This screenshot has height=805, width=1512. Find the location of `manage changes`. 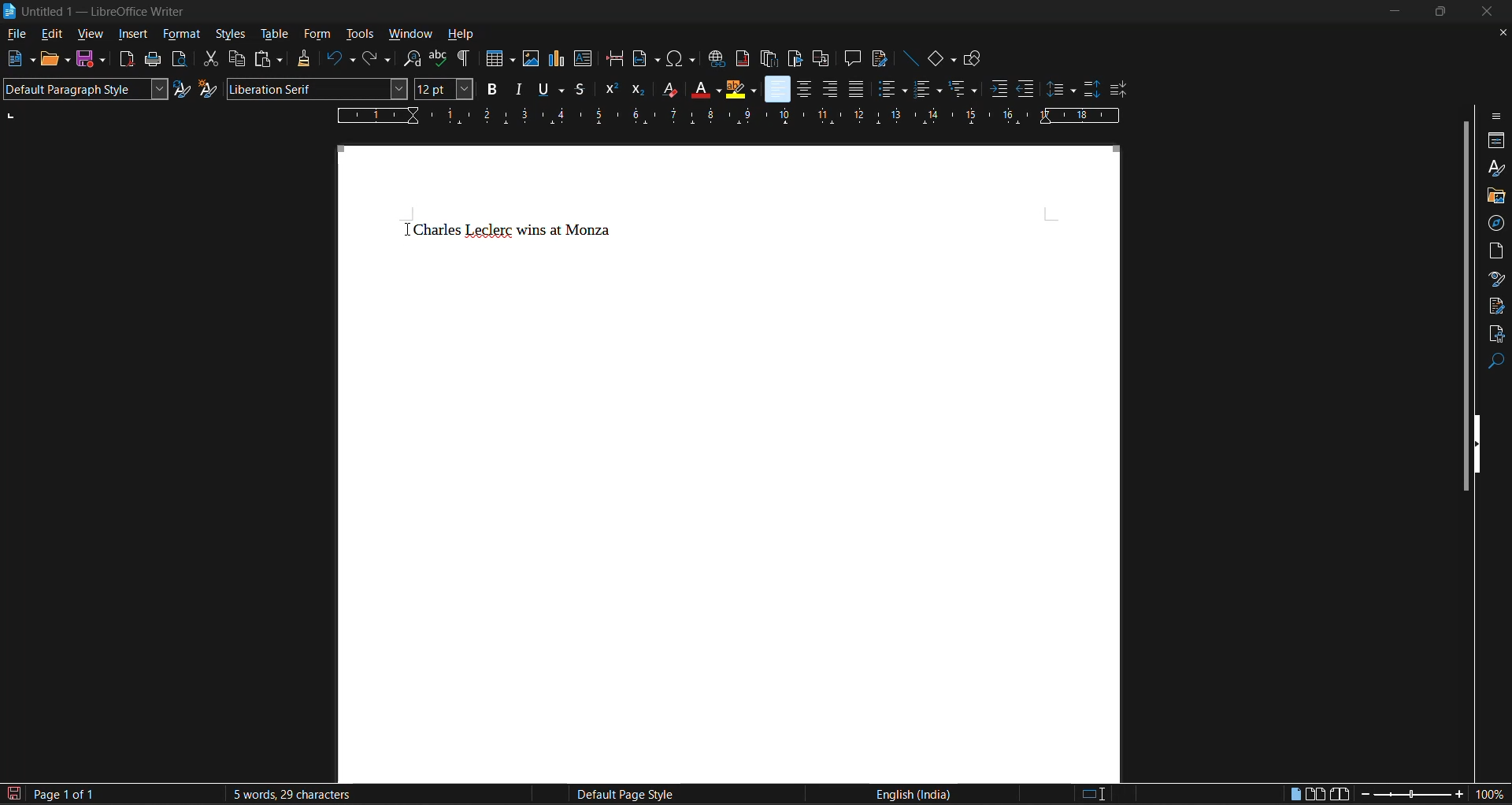

manage changes is located at coordinates (1497, 306).